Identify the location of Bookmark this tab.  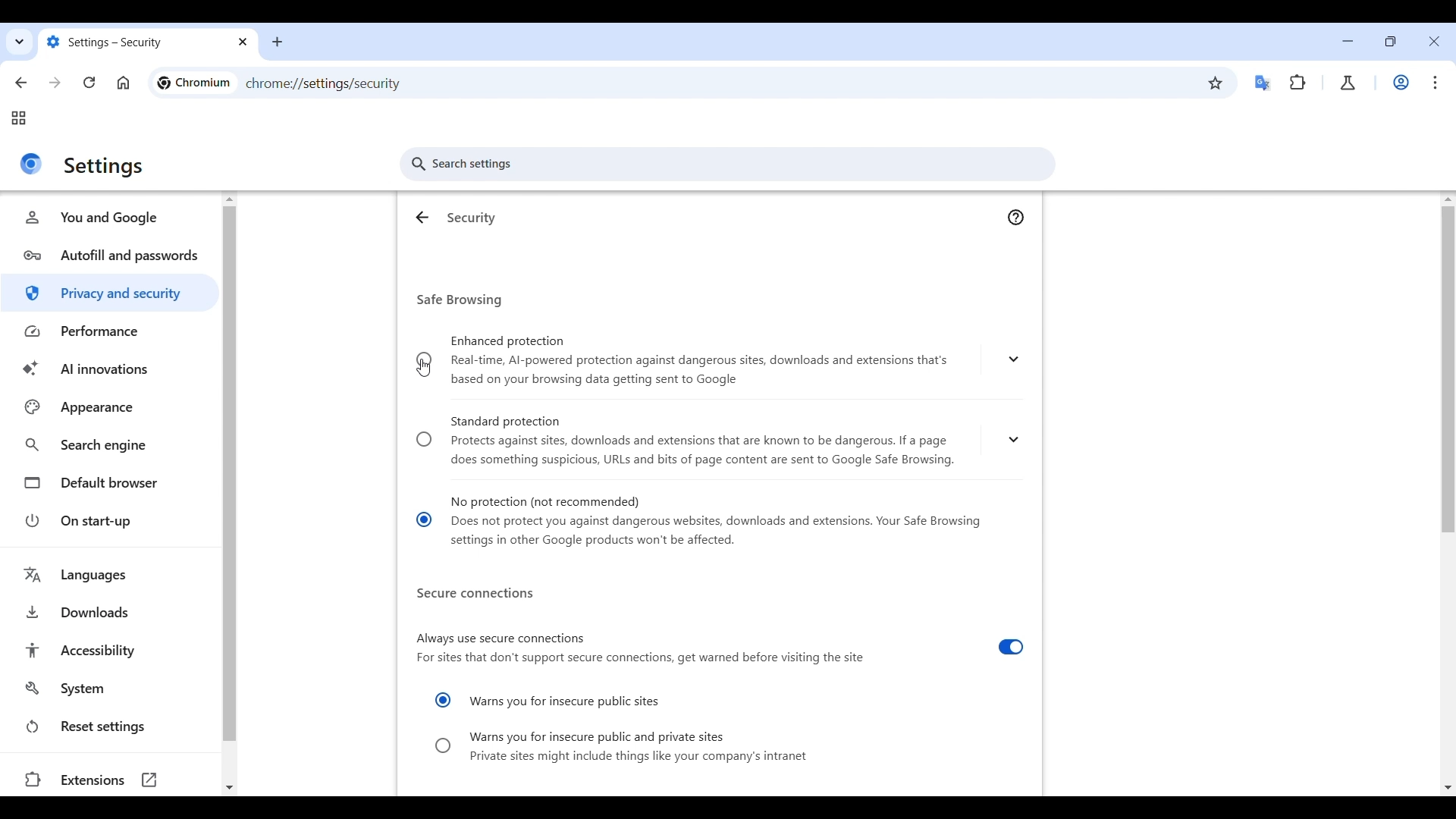
(1216, 83).